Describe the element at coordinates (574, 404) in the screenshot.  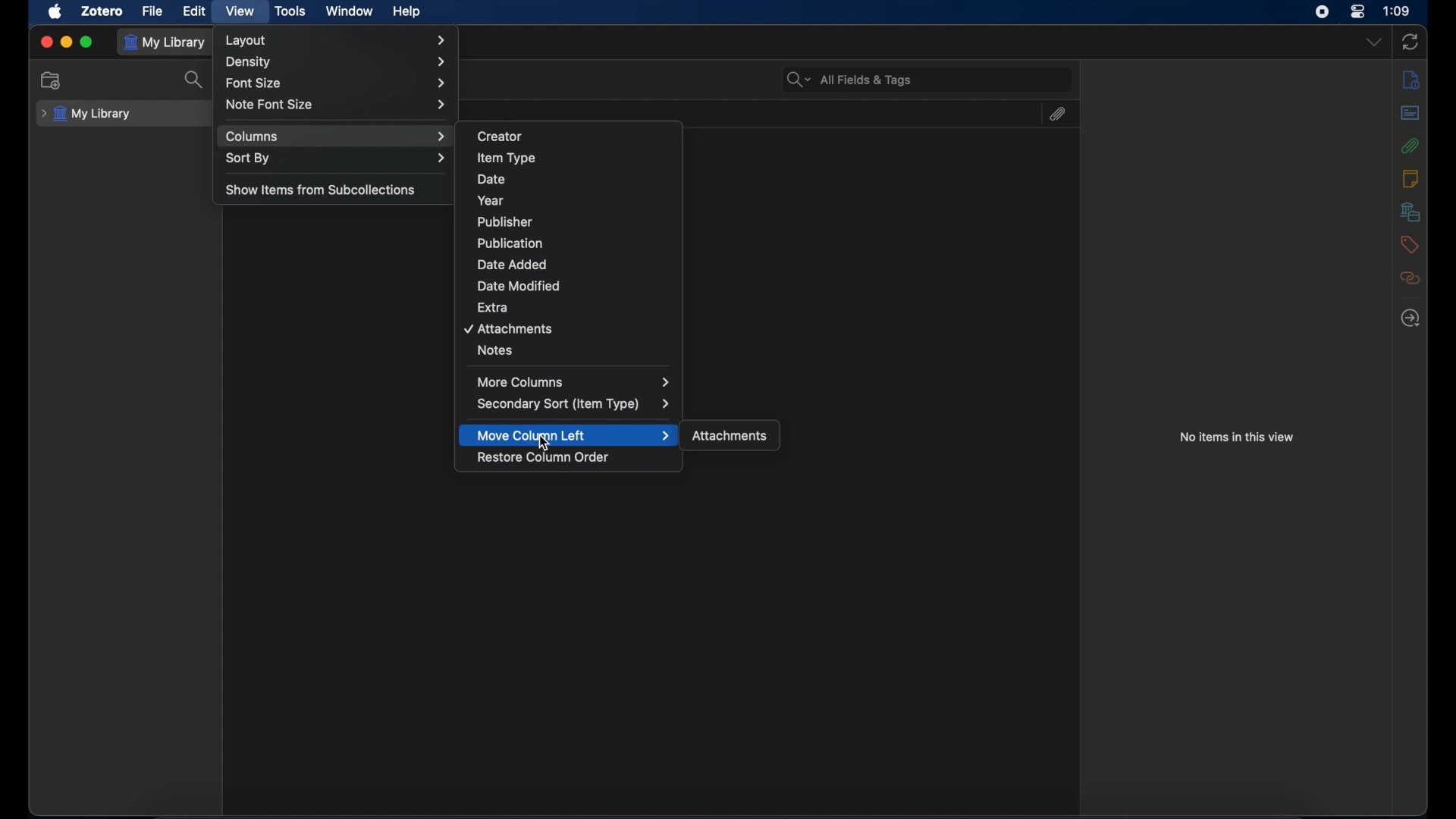
I see `secondary sort` at that location.